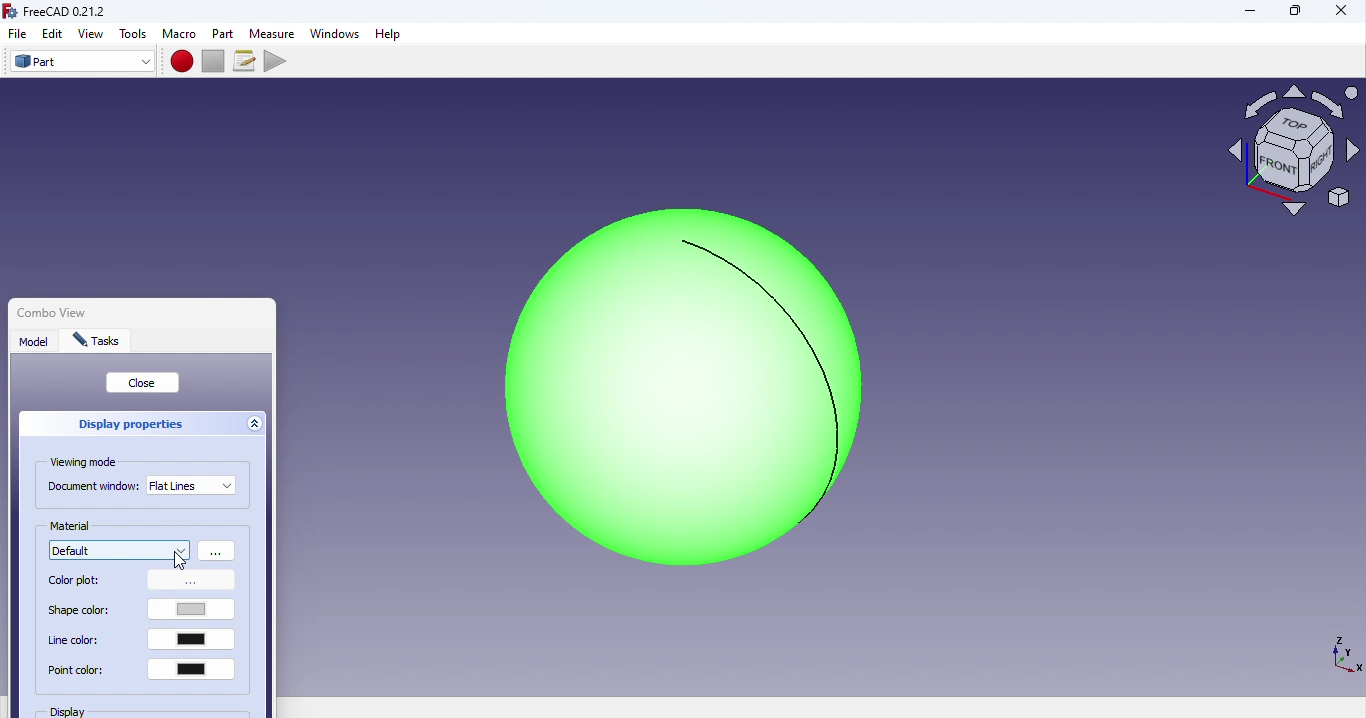 This screenshot has height=718, width=1366. Describe the element at coordinates (247, 61) in the screenshot. I see `Macros` at that location.